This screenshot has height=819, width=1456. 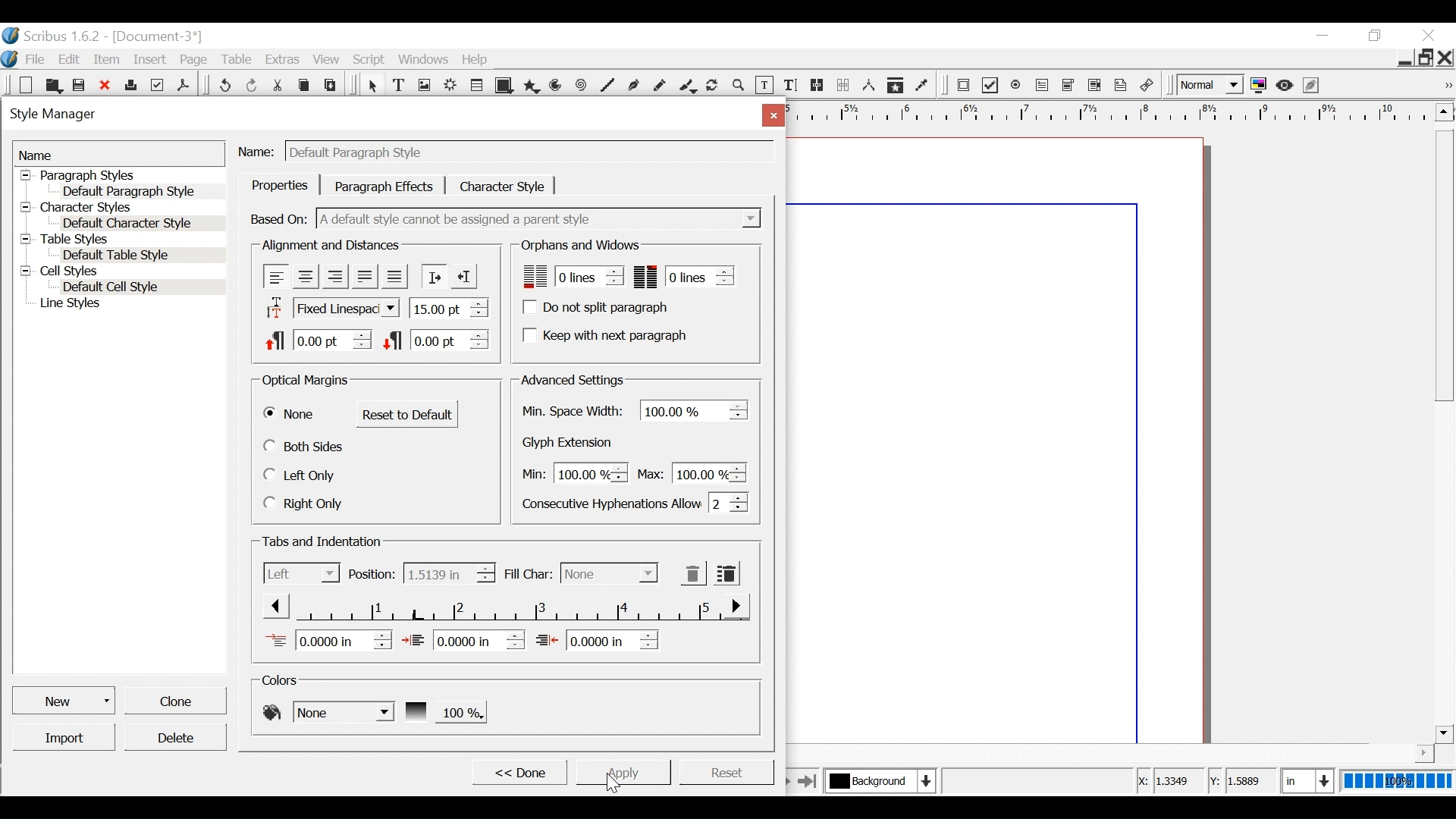 What do you see at coordinates (399, 86) in the screenshot?
I see `Text Frame` at bounding box center [399, 86].